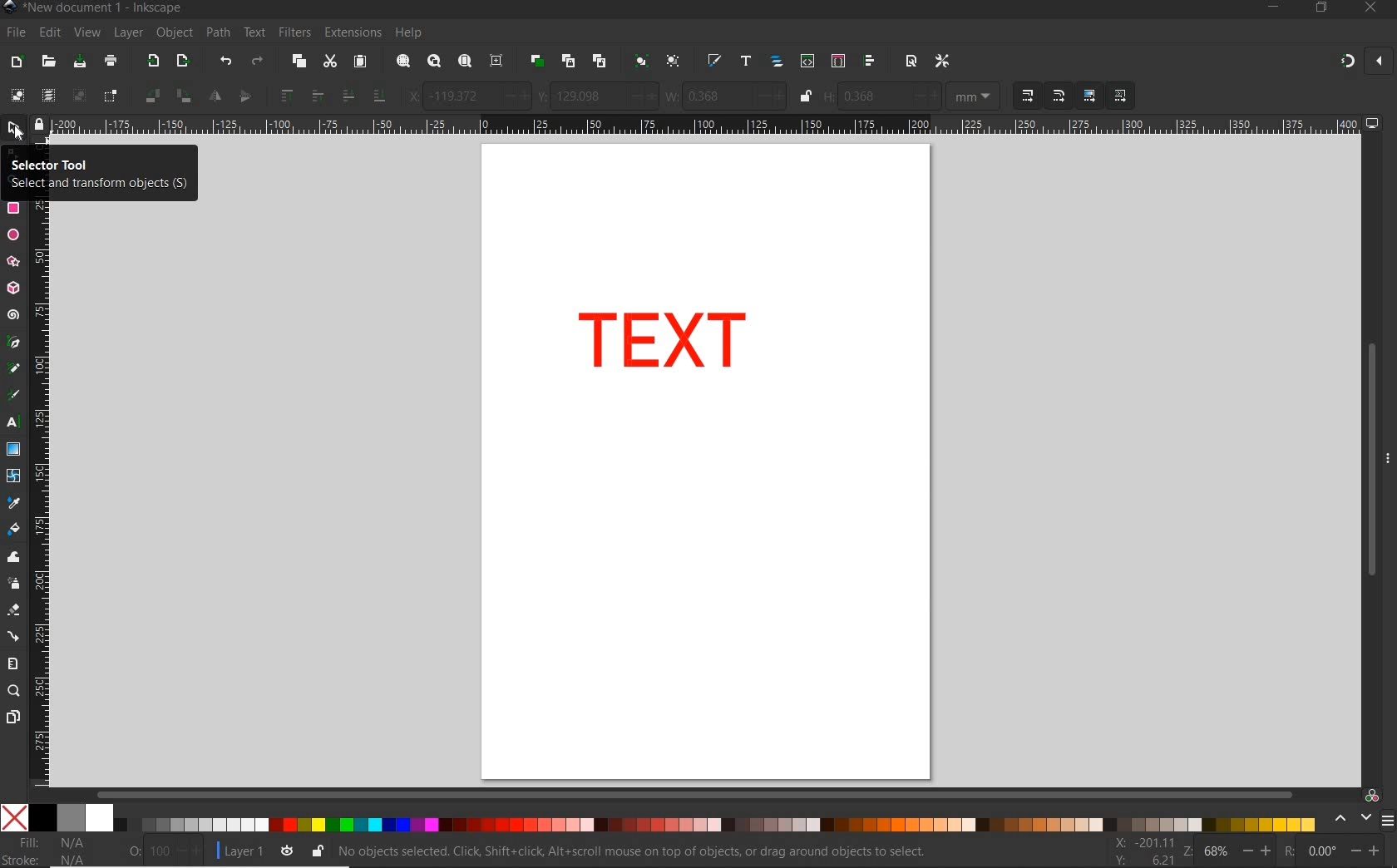 This screenshot has width=1397, height=868. What do you see at coordinates (77, 95) in the screenshot?
I see `DESELECT` at bounding box center [77, 95].